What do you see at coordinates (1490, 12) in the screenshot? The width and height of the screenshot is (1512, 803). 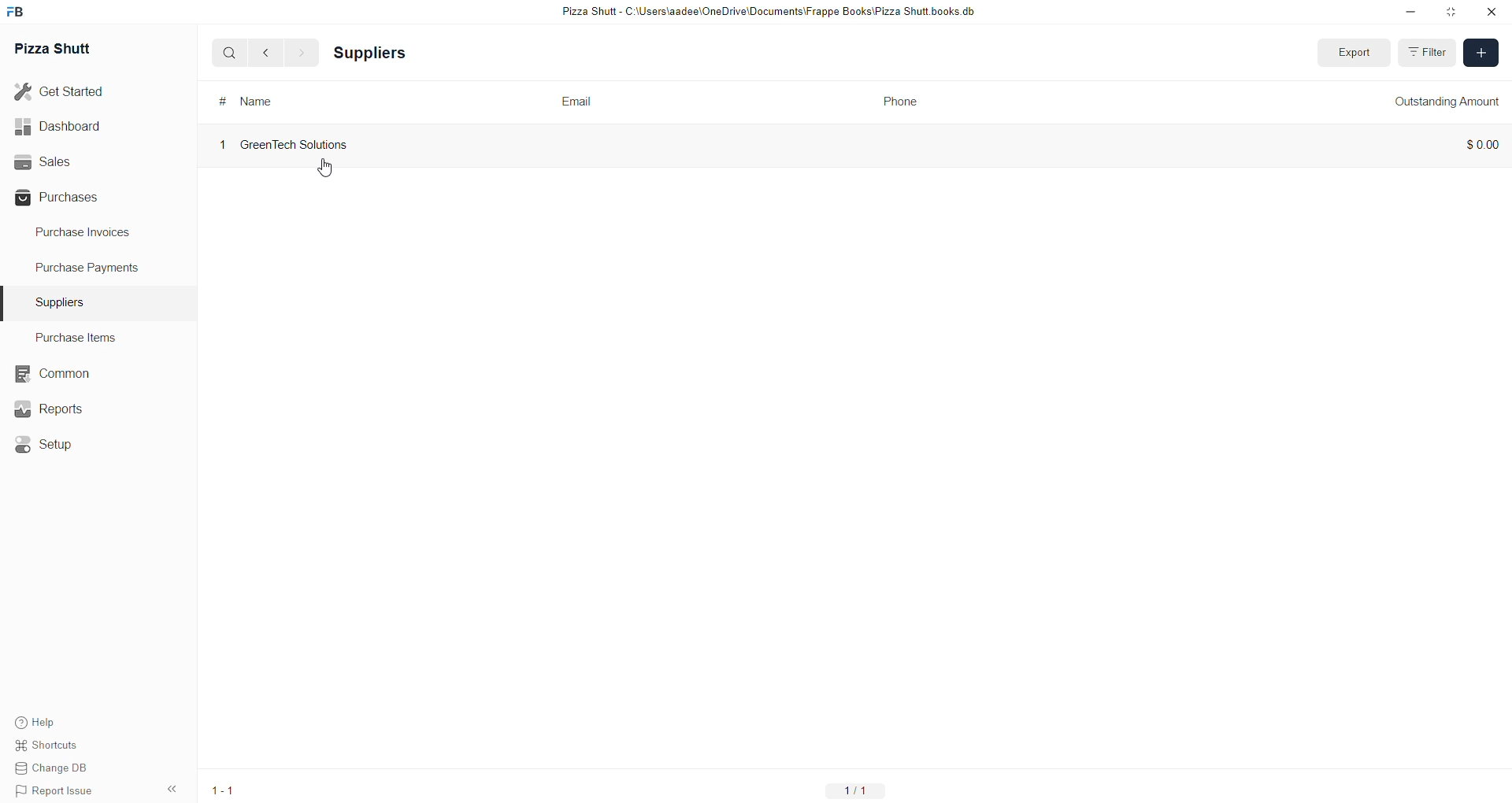 I see `close` at bounding box center [1490, 12].